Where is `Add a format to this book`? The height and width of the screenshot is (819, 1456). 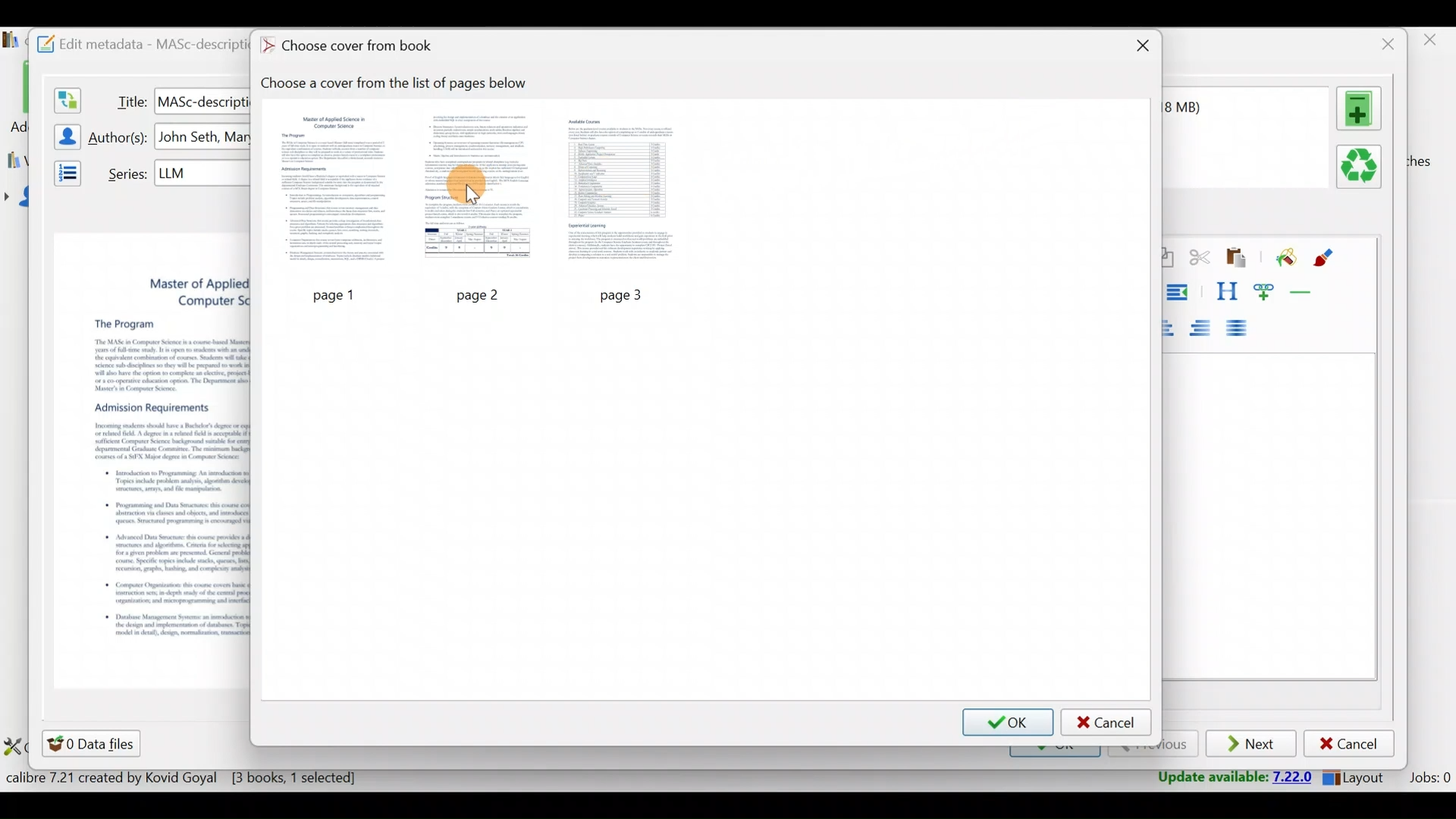 Add a format to this book is located at coordinates (1362, 108).